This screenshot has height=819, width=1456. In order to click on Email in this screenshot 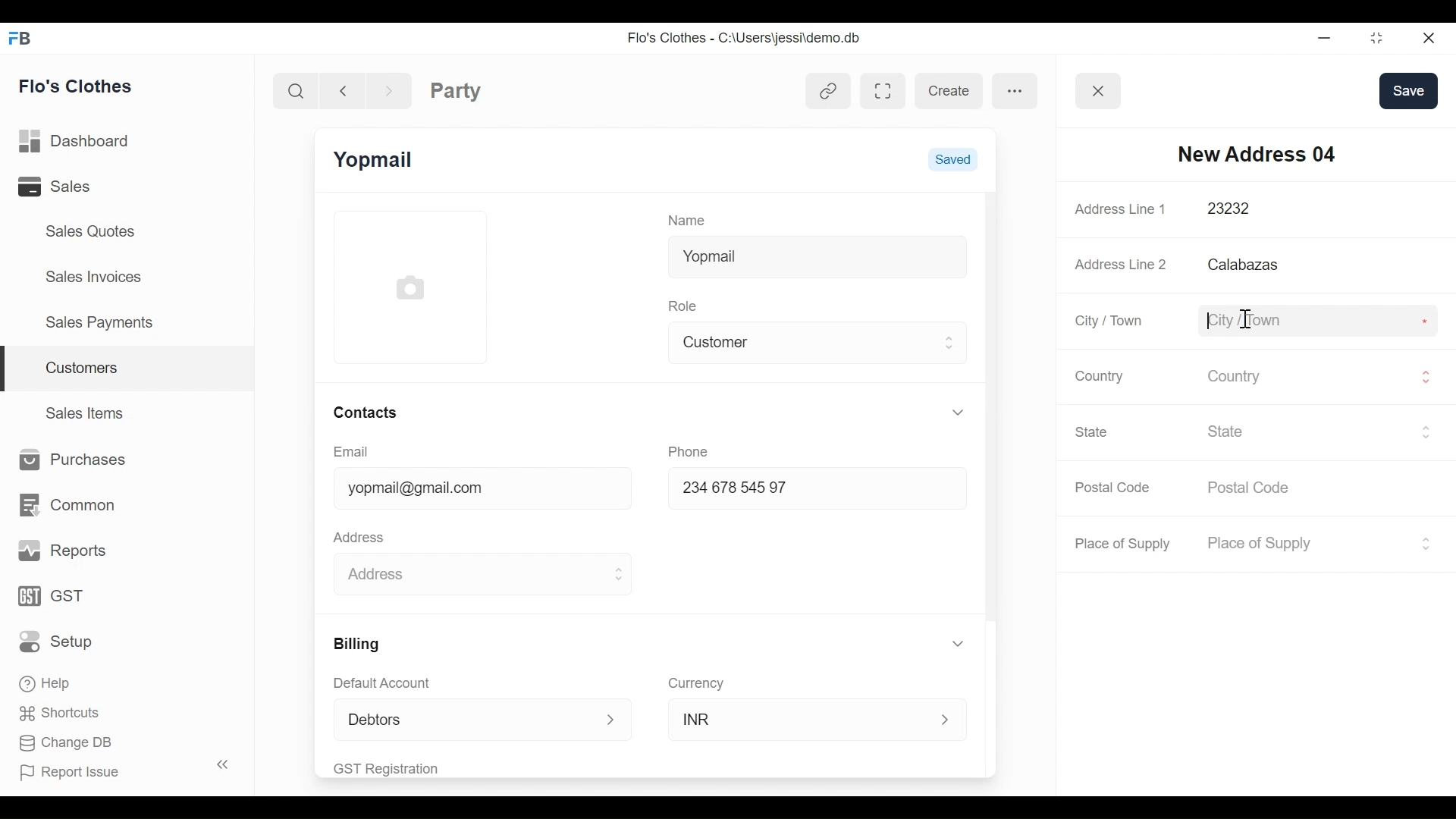, I will do `click(352, 452)`.